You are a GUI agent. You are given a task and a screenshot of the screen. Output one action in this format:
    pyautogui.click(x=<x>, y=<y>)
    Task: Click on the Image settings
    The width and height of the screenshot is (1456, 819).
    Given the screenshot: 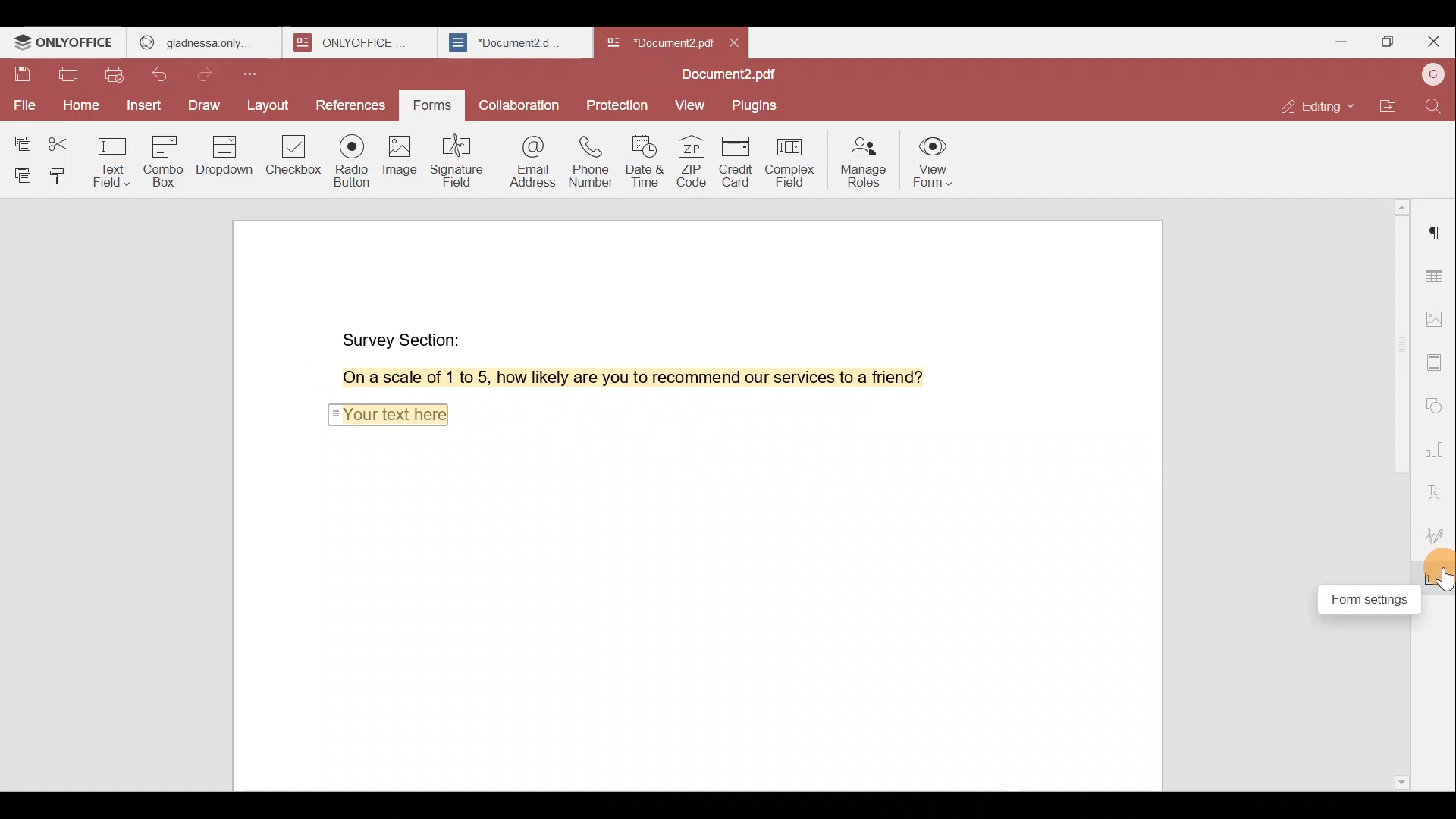 What is the action you would take?
    pyautogui.click(x=1439, y=322)
    